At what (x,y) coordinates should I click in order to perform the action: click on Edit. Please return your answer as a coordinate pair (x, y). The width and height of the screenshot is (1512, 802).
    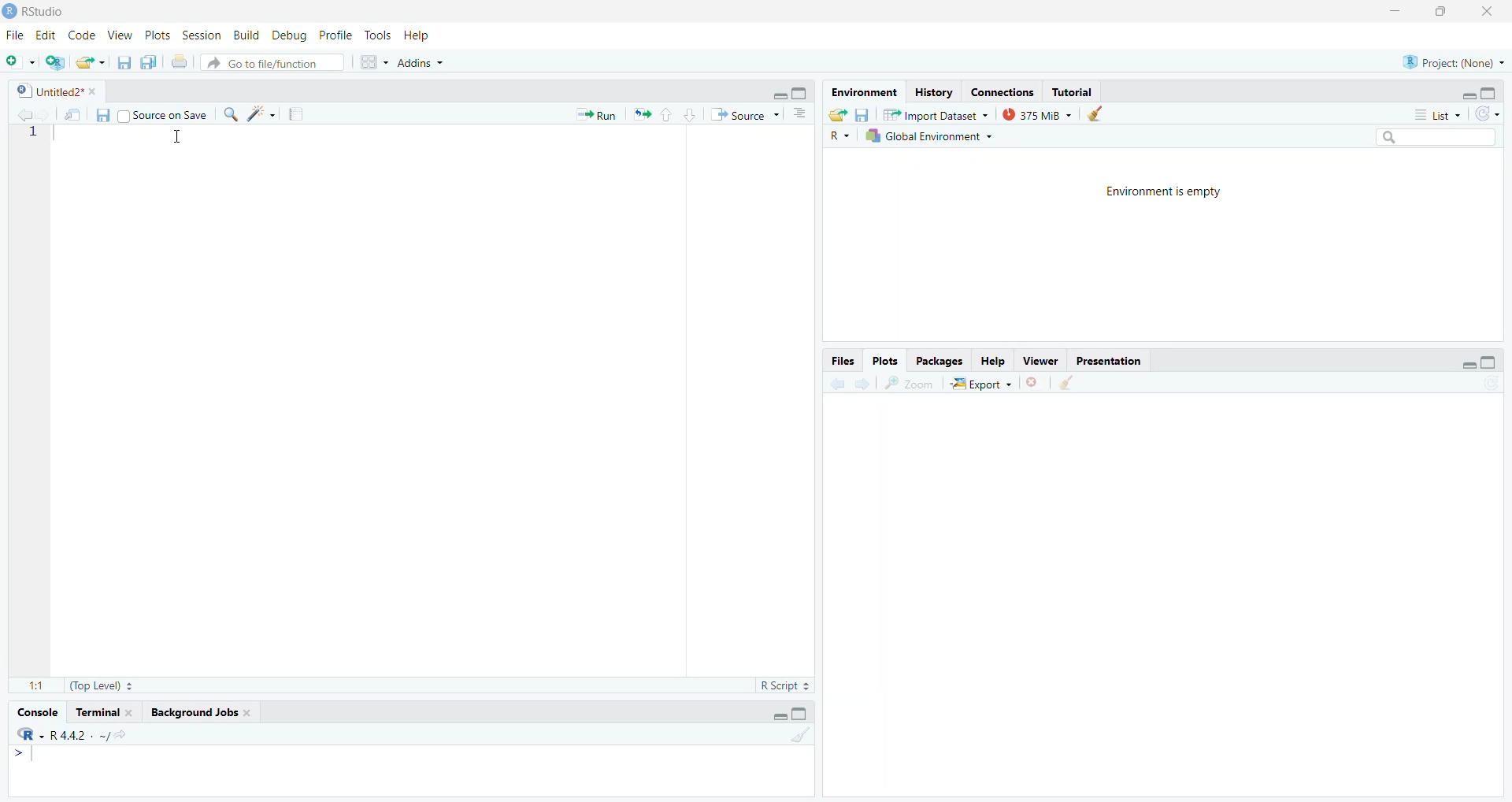
    Looking at the image, I should click on (45, 35).